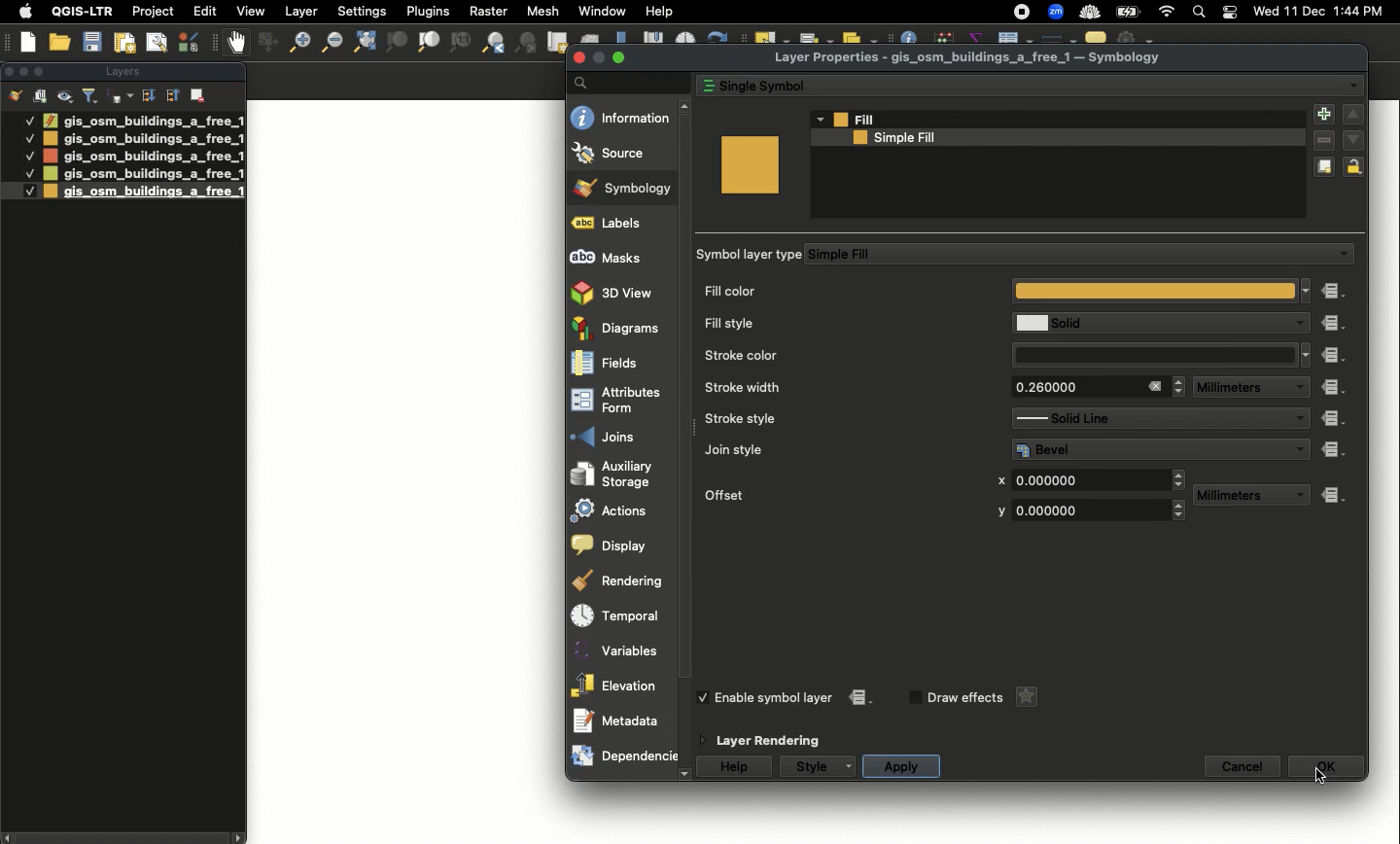 This screenshot has width=1400, height=844. I want to click on Style manager, so click(191, 42).